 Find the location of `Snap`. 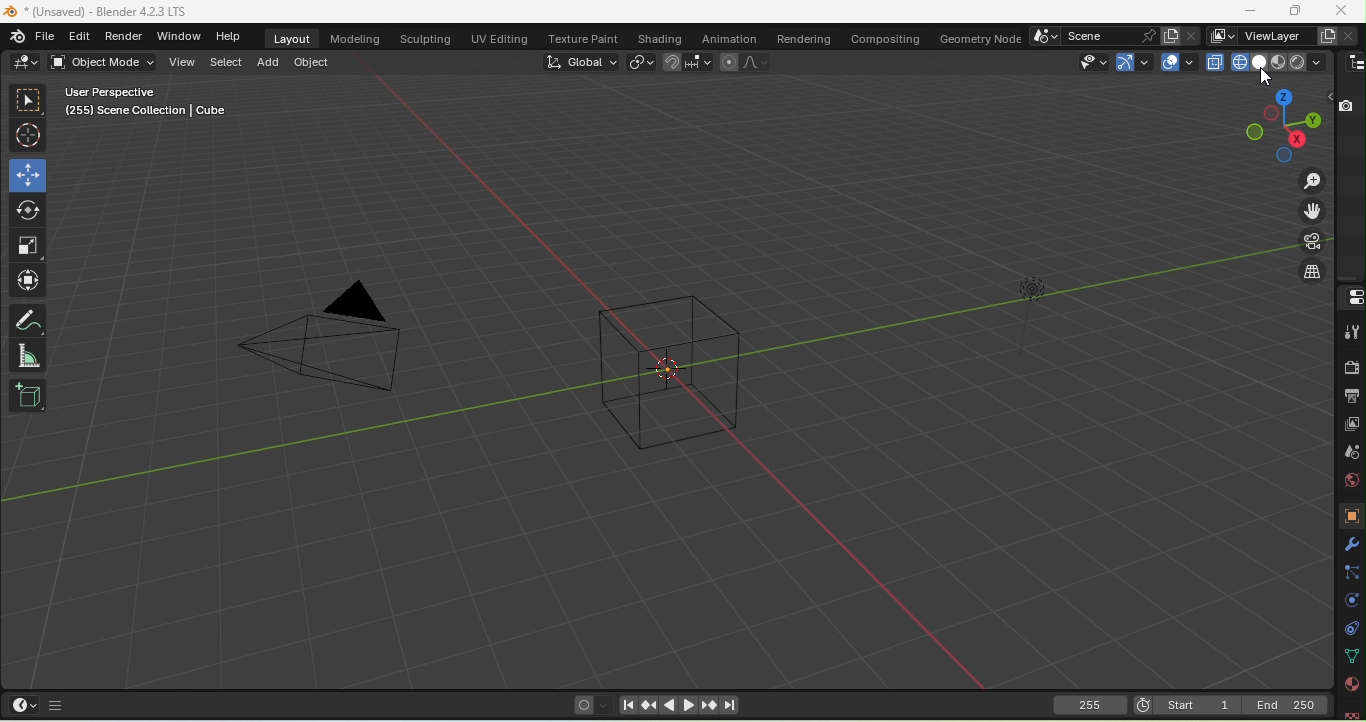

Snap is located at coordinates (672, 63).